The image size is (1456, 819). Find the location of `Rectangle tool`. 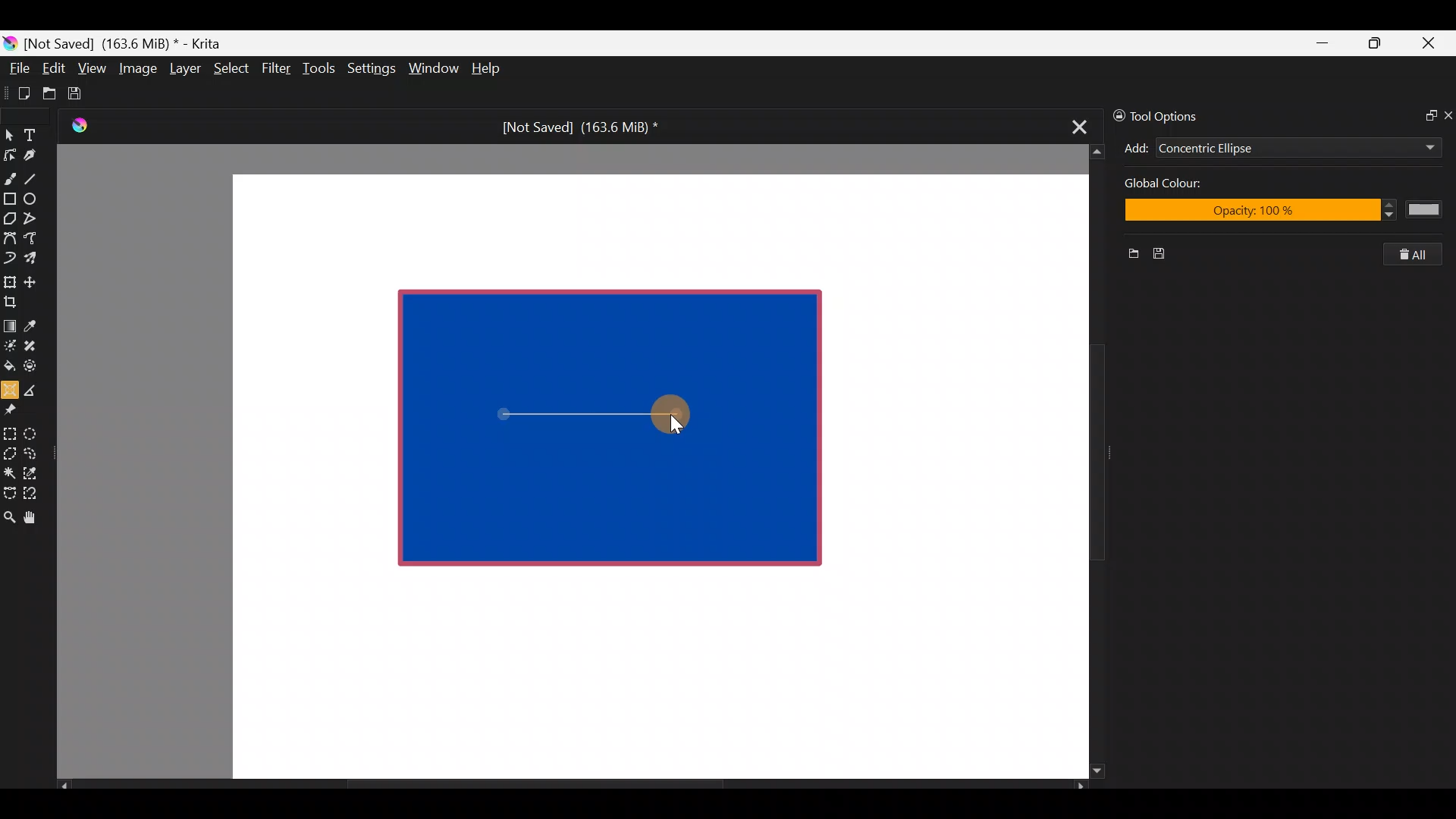

Rectangle tool is located at coordinates (10, 200).